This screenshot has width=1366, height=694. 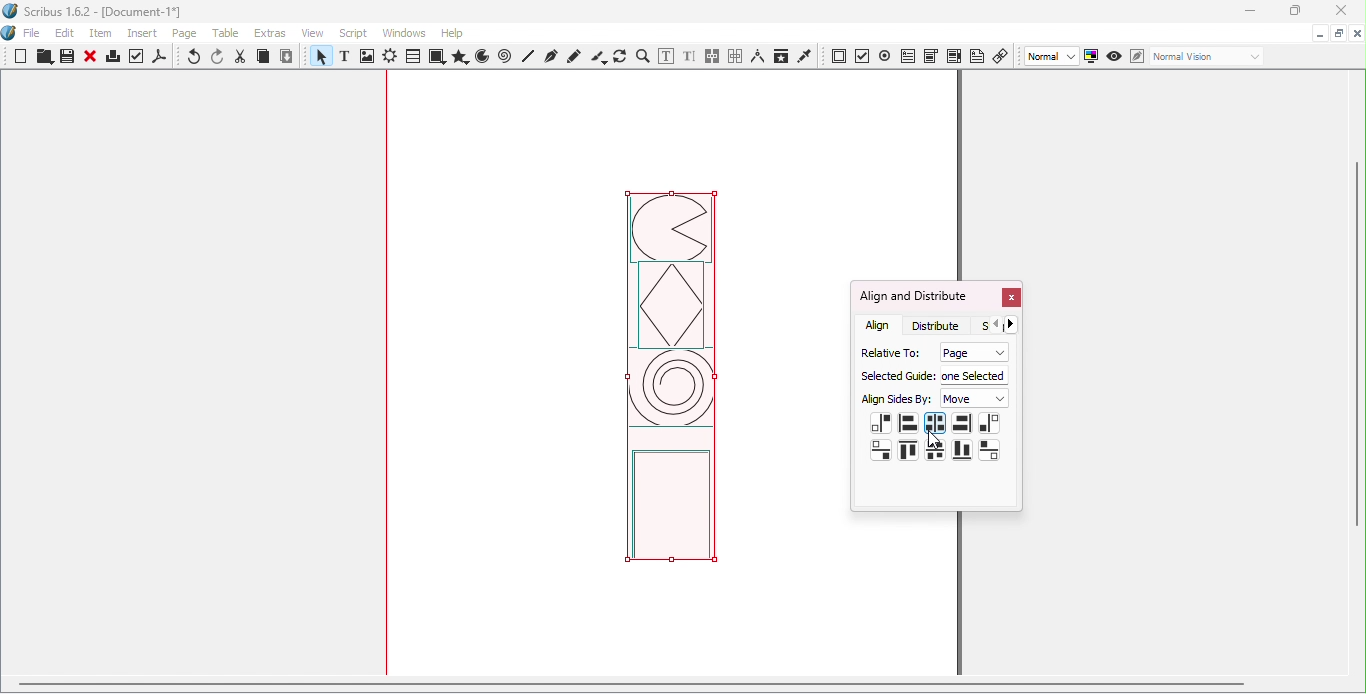 What do you see at coordinates (65, 33) in the screenshot?
I see `Edit` at bounding box center [65, 33].